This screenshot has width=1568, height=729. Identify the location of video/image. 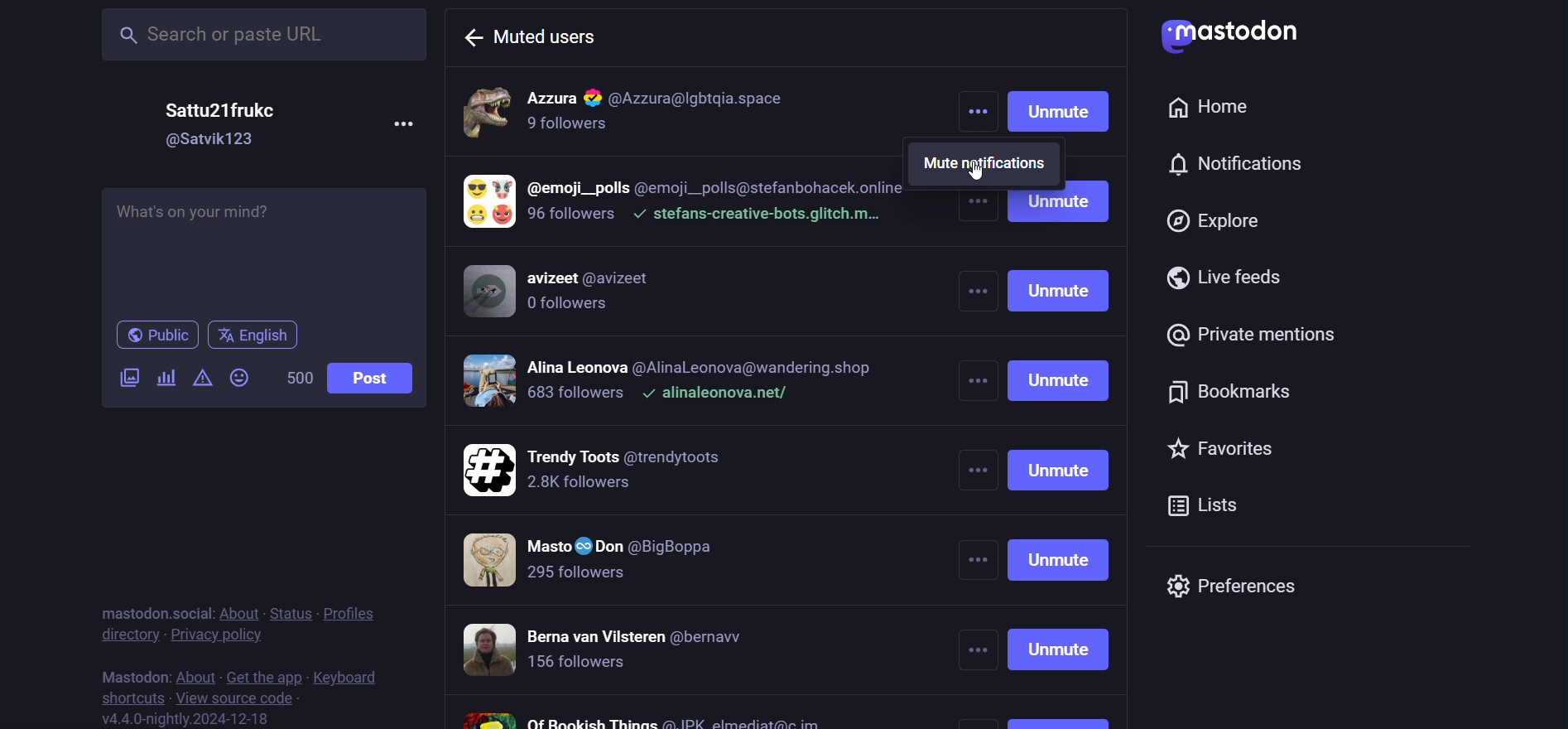
(129, 379).